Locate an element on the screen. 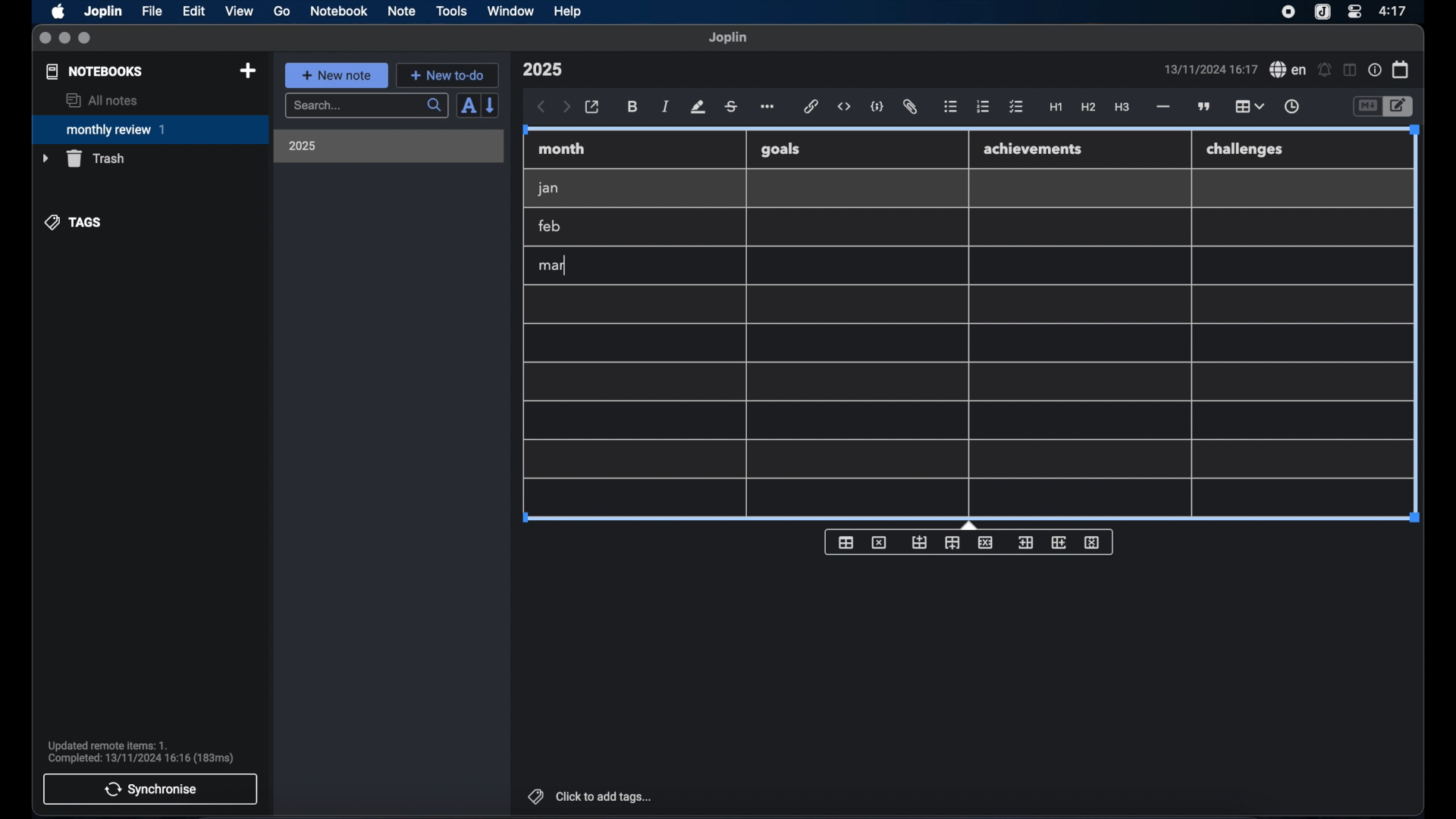 This screenshot has width=1456, height=819. hyperlink is located at coordinates (811, 106).